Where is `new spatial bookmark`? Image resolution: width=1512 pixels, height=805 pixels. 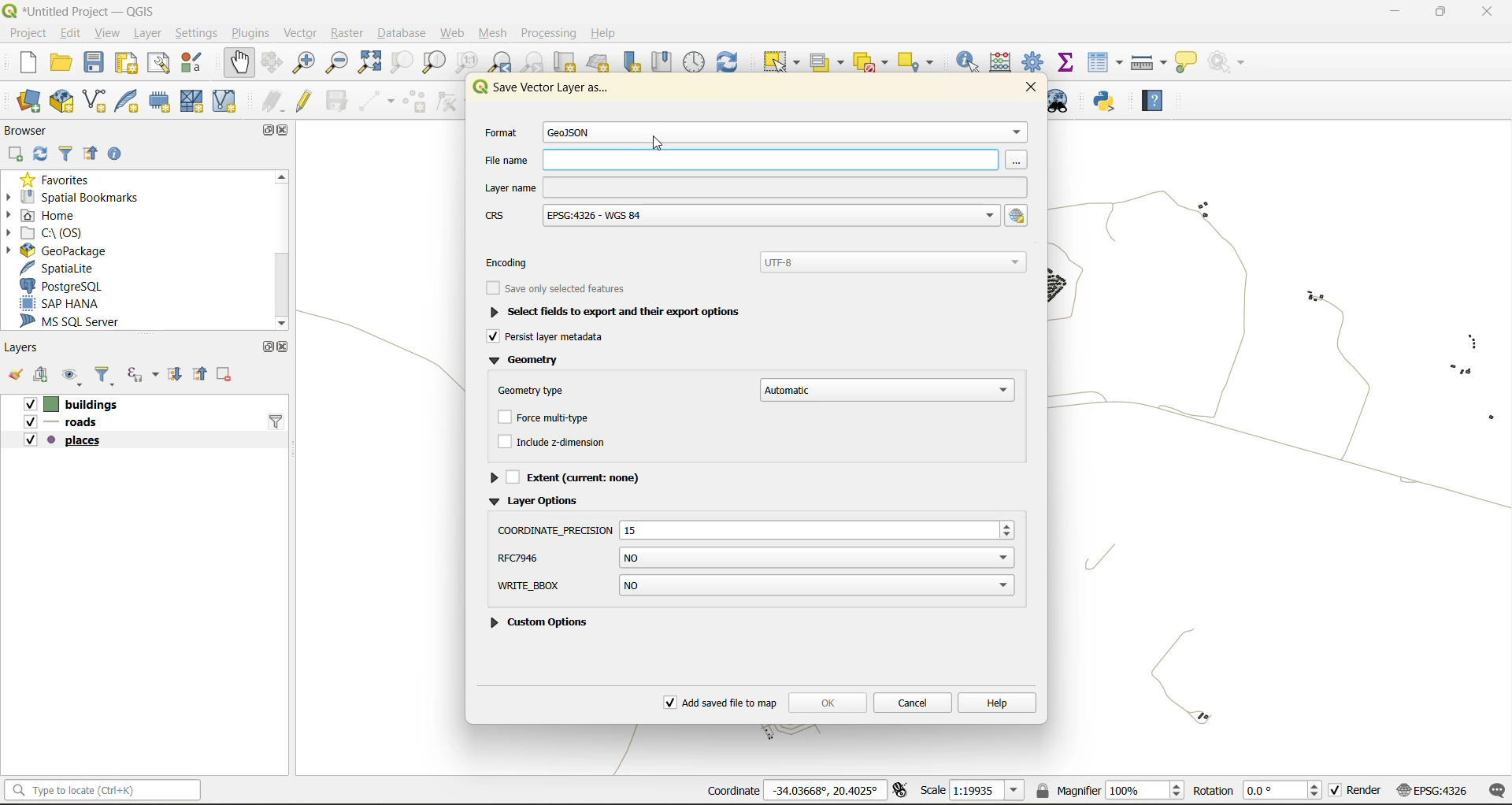
new spatial bookmark is located at coordinates (637, 63).